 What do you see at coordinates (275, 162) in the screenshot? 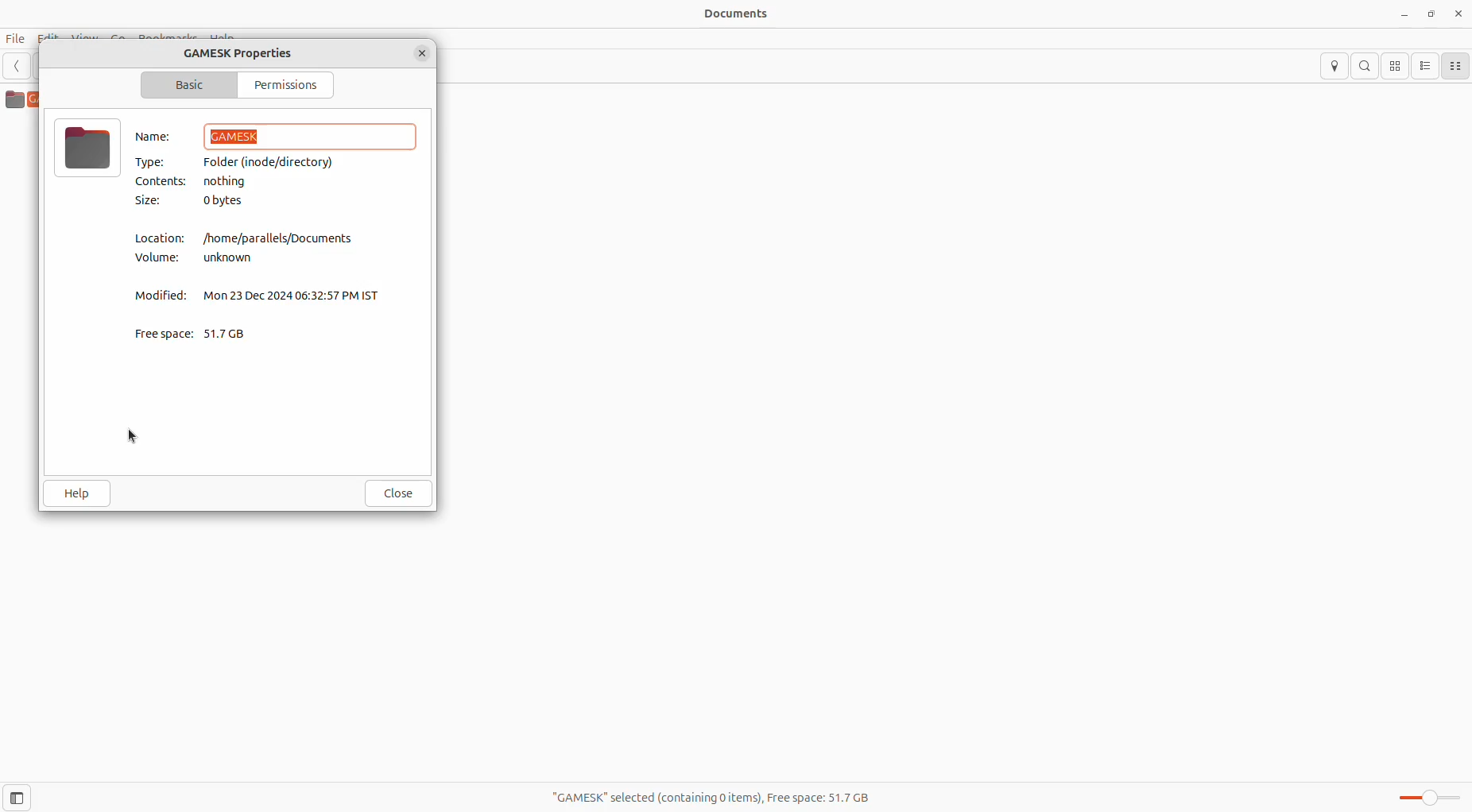
I see `Folder(indode/directory)` at bounding box center [275, 162].